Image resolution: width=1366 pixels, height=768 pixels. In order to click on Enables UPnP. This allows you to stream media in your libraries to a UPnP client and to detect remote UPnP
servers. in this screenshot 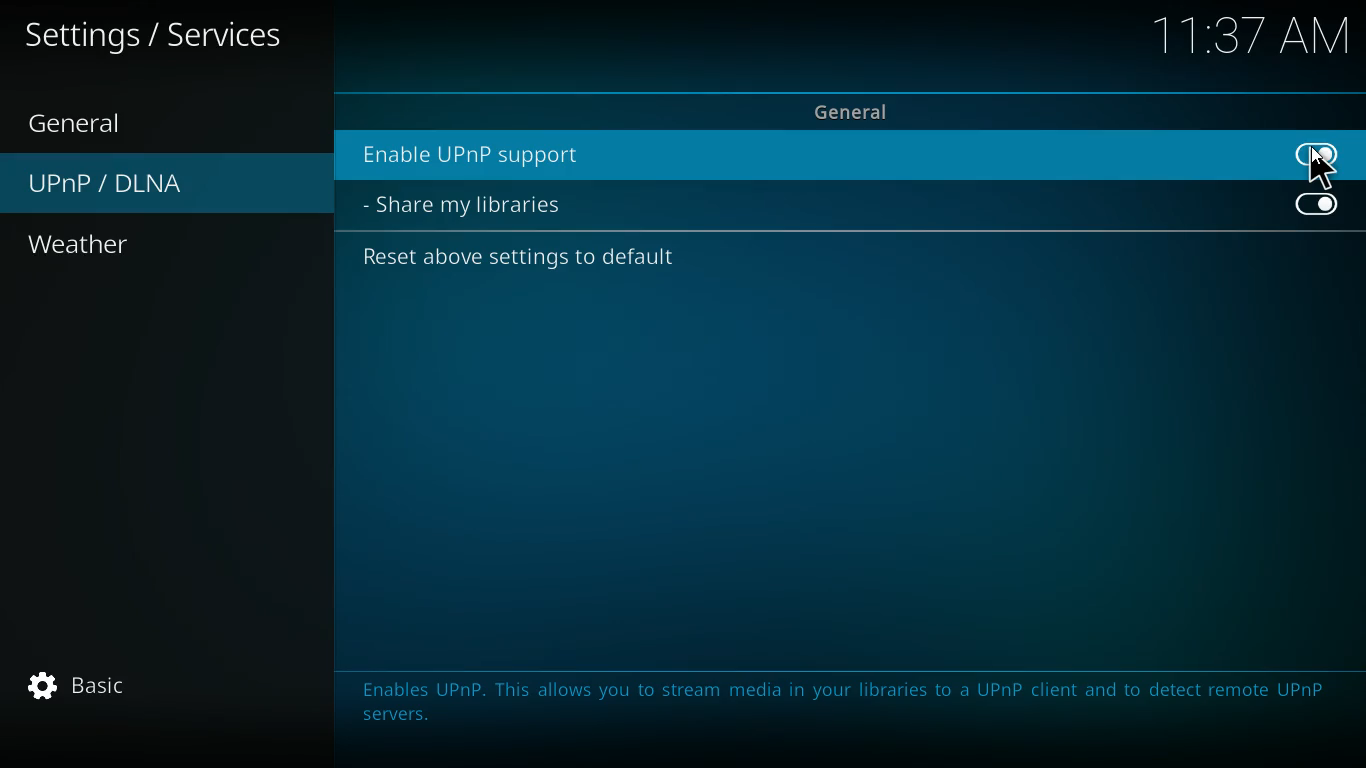, I will do `click(836, 708)`.